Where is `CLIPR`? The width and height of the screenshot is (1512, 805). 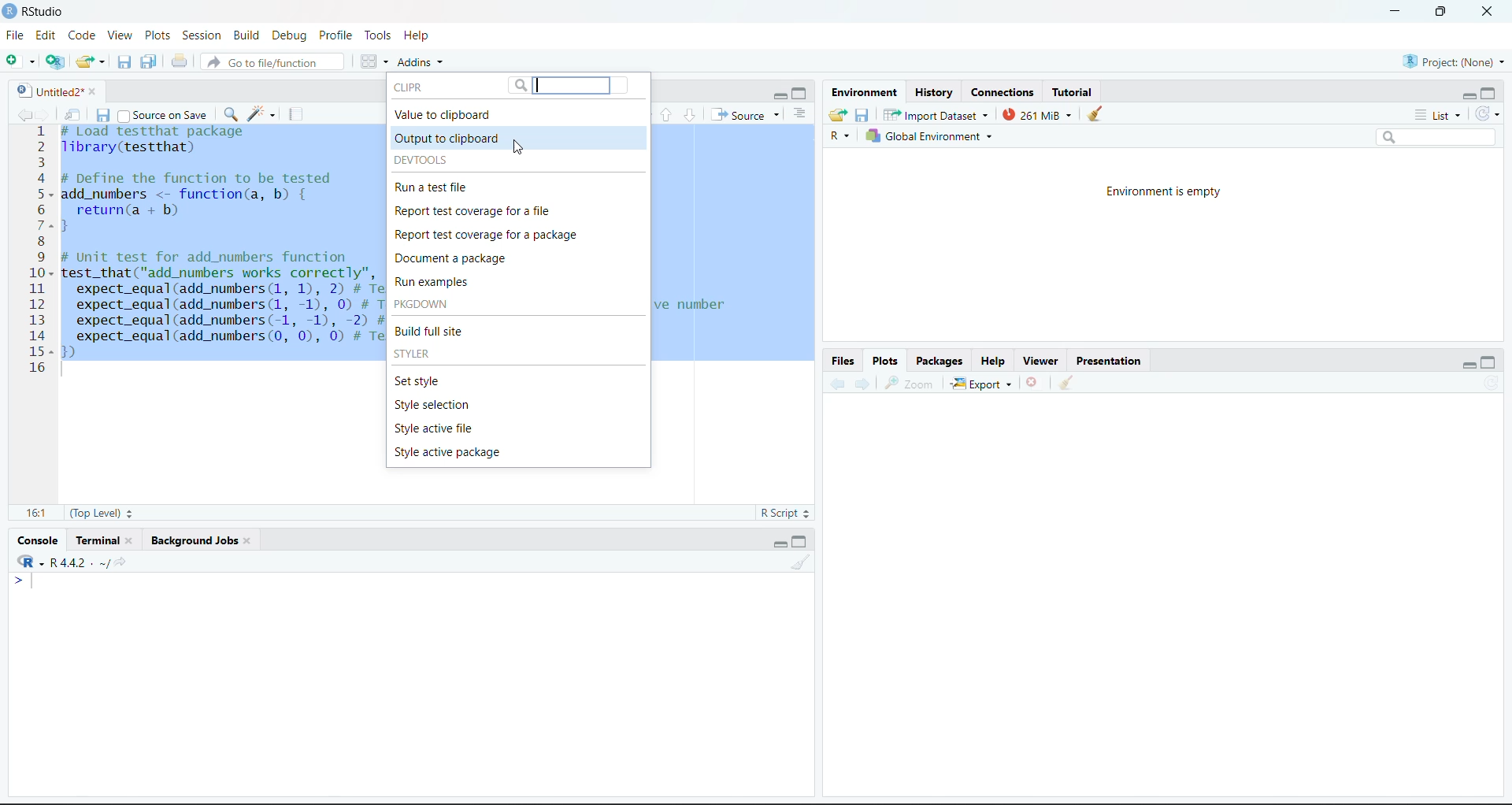 CLIPR is located at coordinates (413, 87).